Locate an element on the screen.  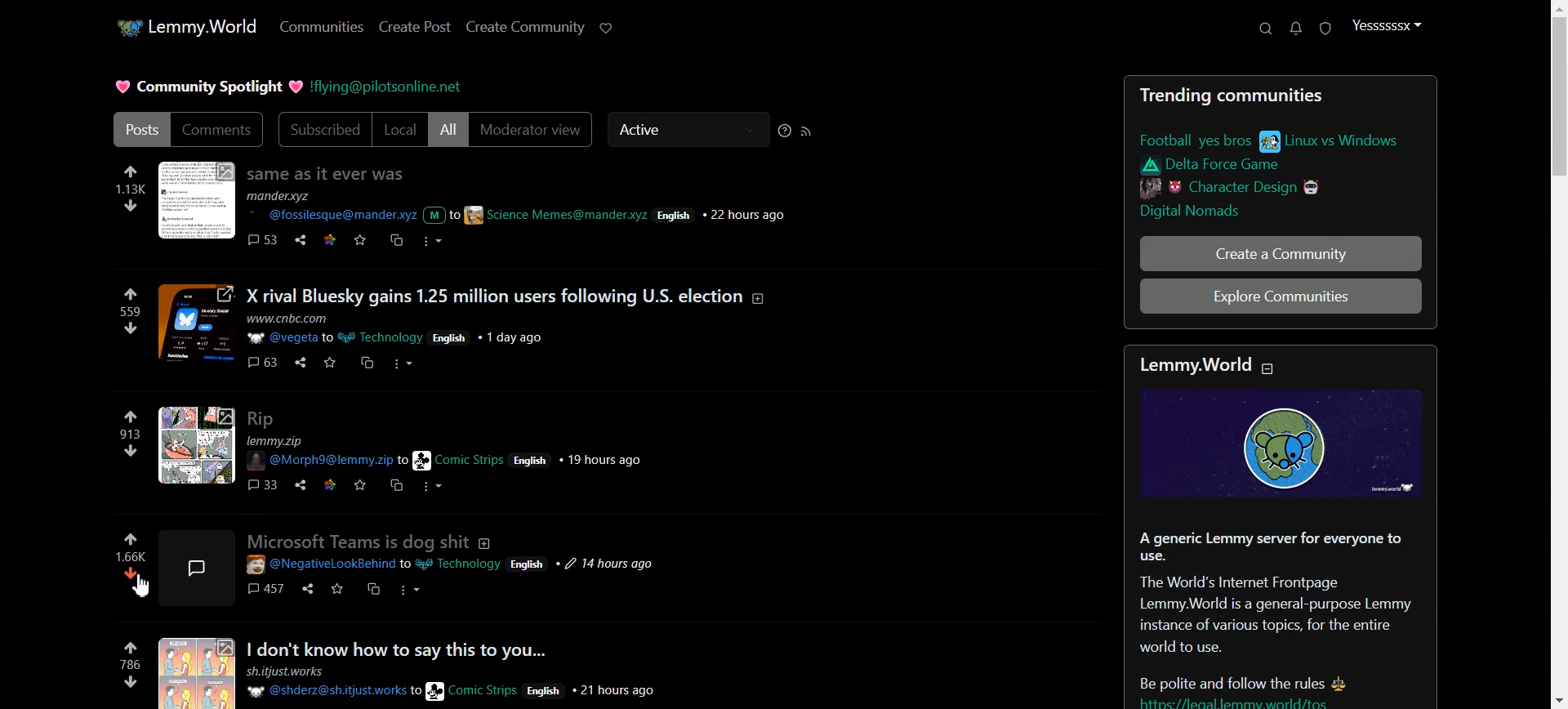
Profile is located at coordinates (1388, 25).